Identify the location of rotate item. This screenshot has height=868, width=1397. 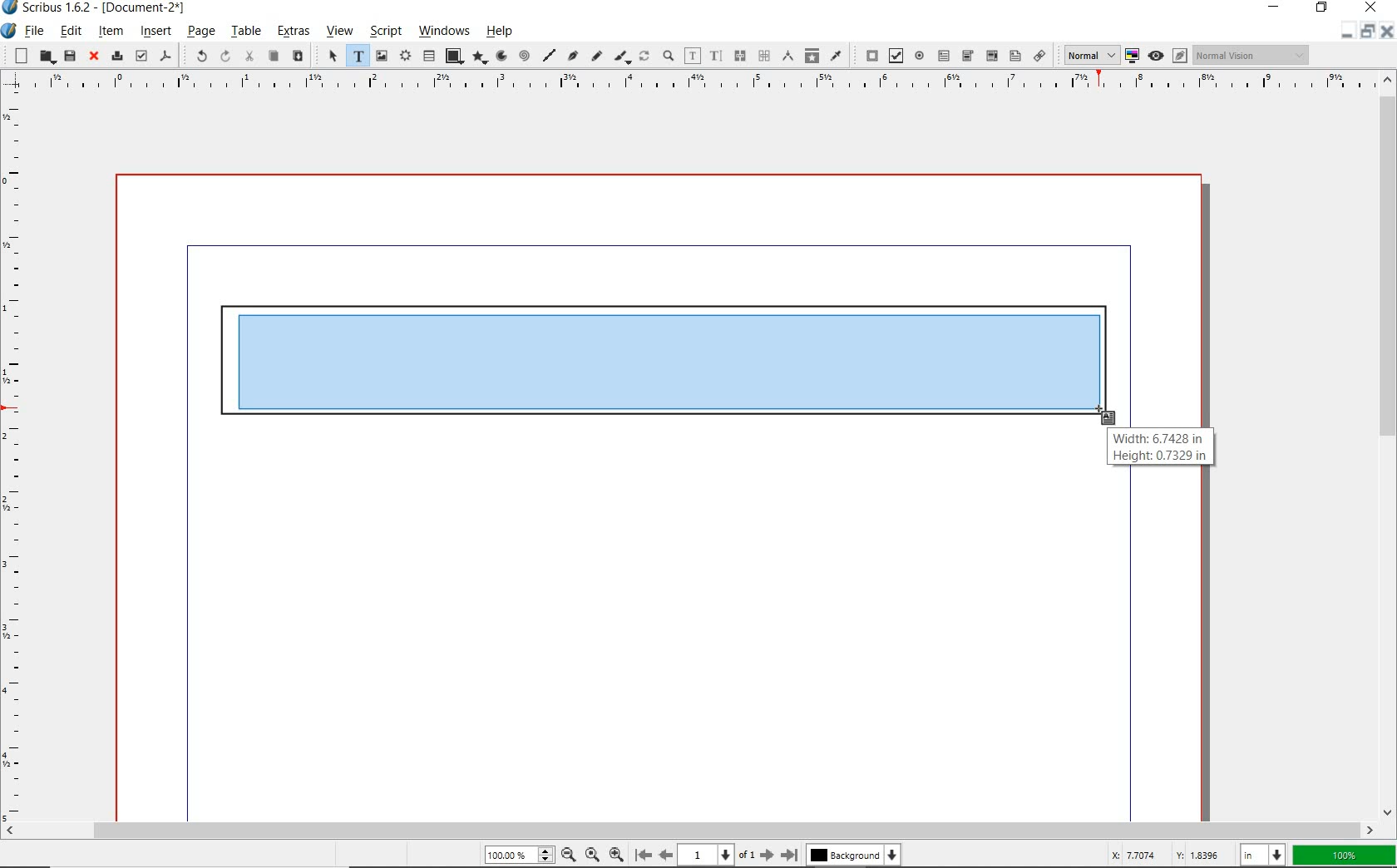
(644, 55).